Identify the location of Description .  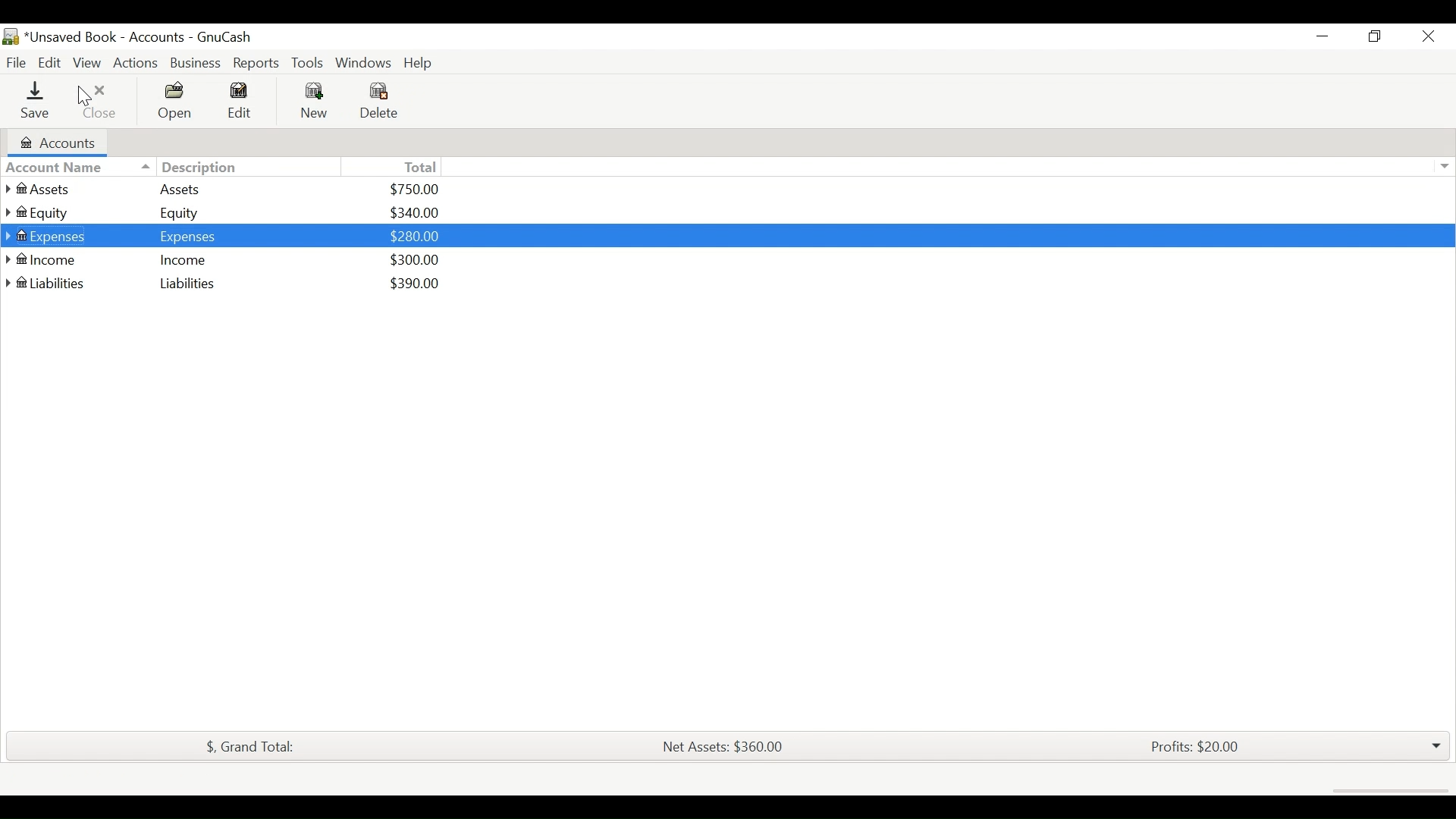
(189, 168).